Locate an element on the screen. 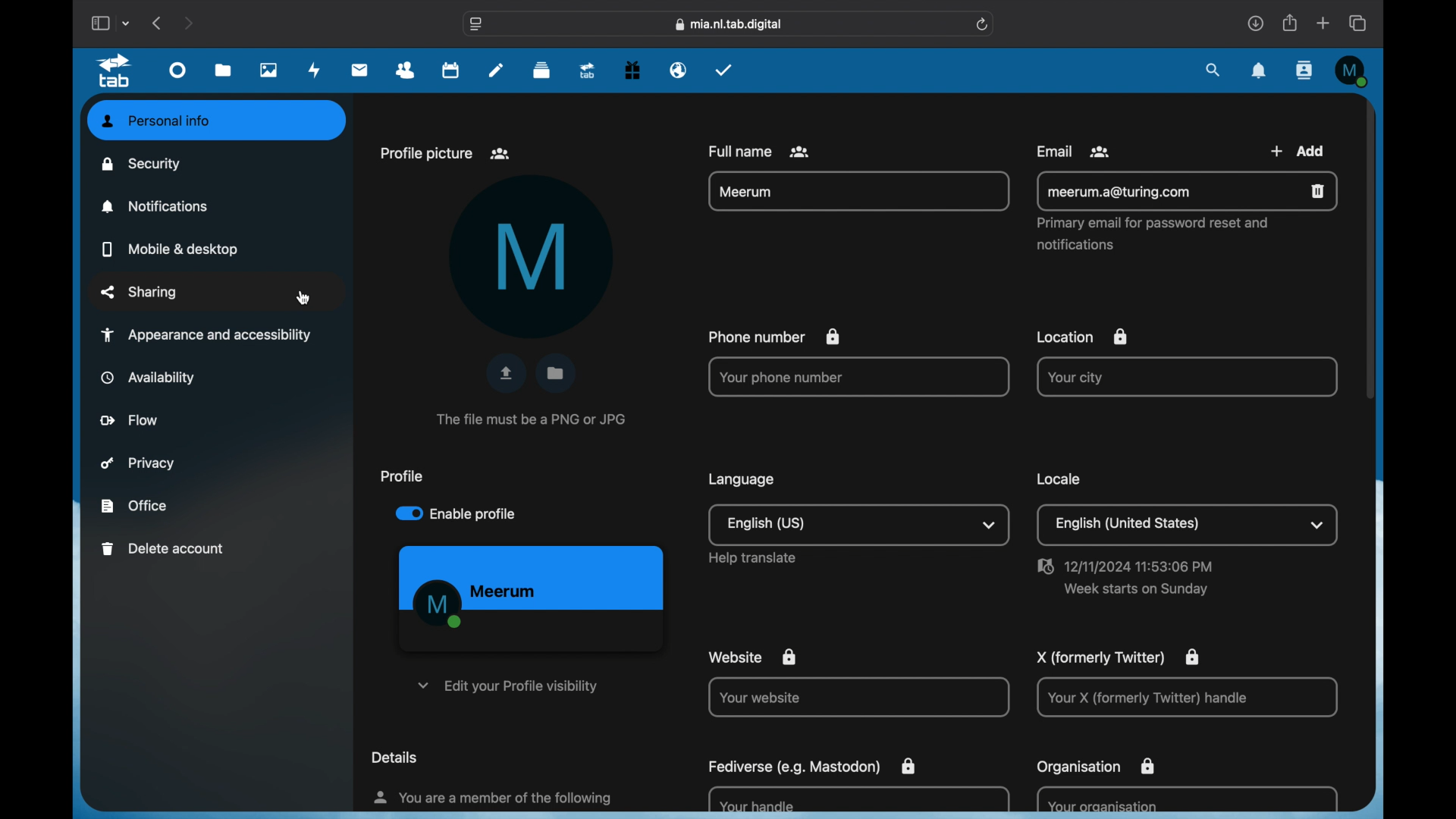 The image size is (1456, 819). free trial is located at coordinates (632, 71).